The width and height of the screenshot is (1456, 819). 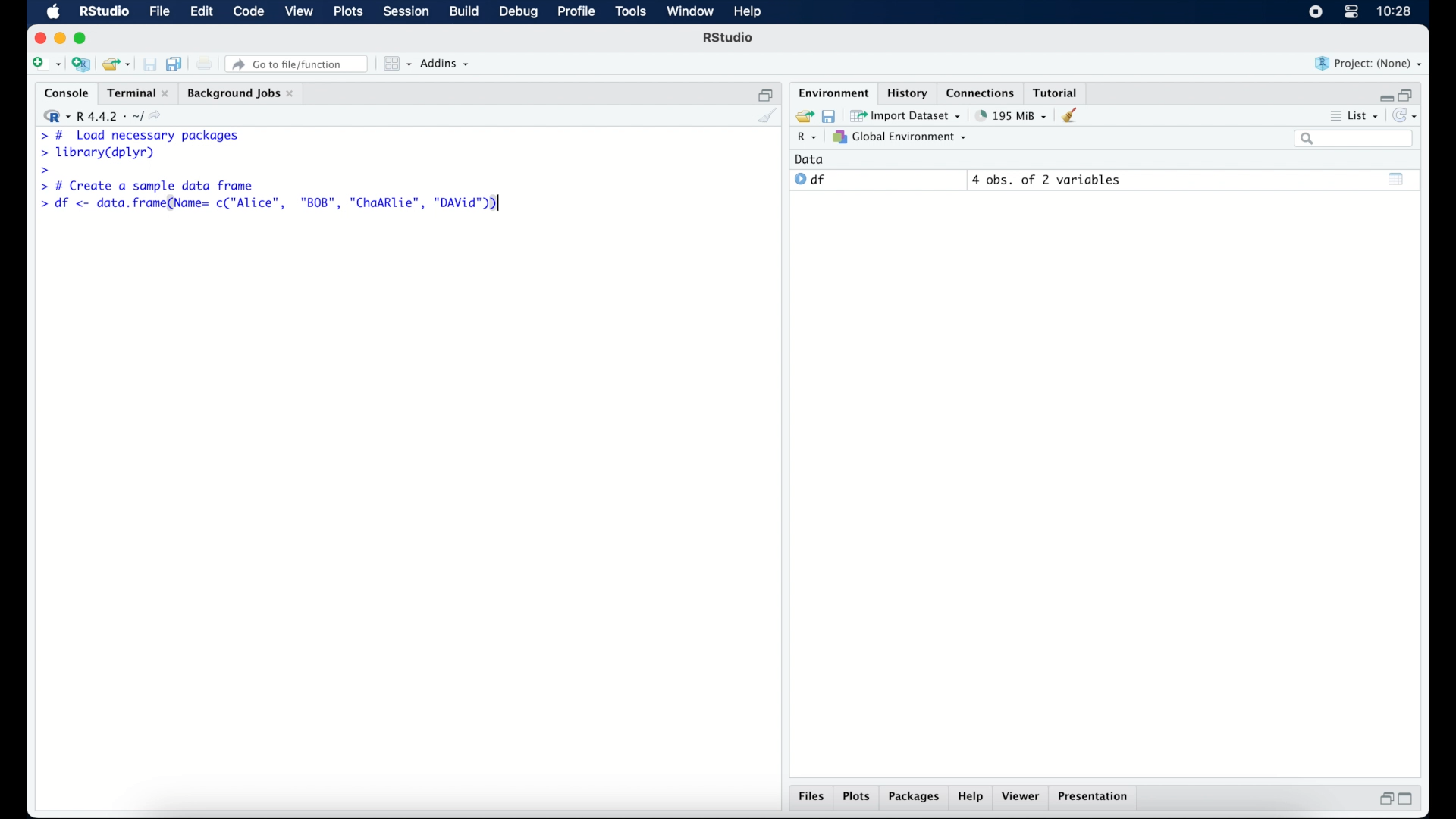 What do you see at coordinates (811, 799) in the screenshot?
I see `files` at bounding box center [811, 799].